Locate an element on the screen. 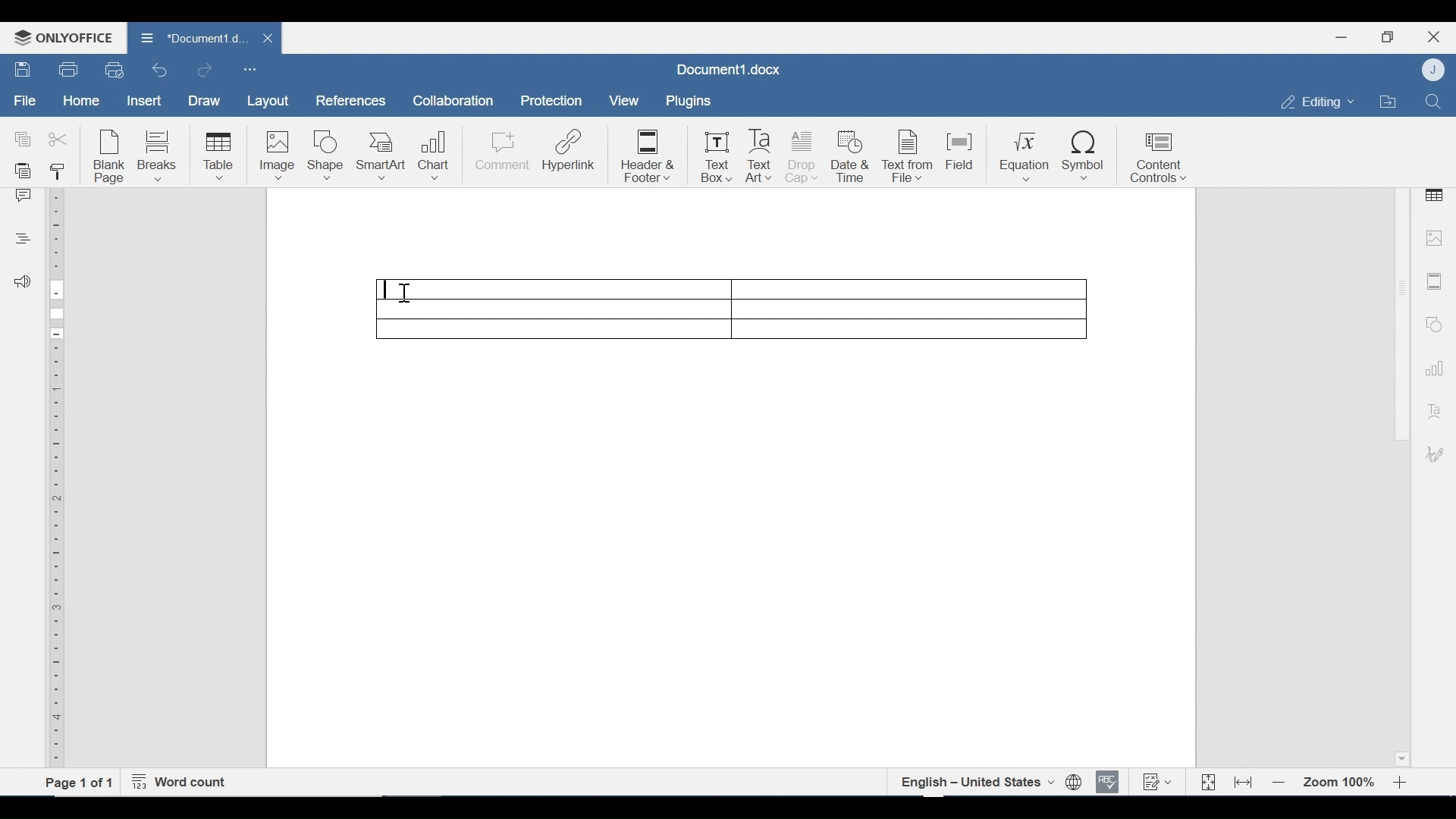 This screenshot has height=819, width=1456. Page 1 of 1 is located at coordinates (80, 782).